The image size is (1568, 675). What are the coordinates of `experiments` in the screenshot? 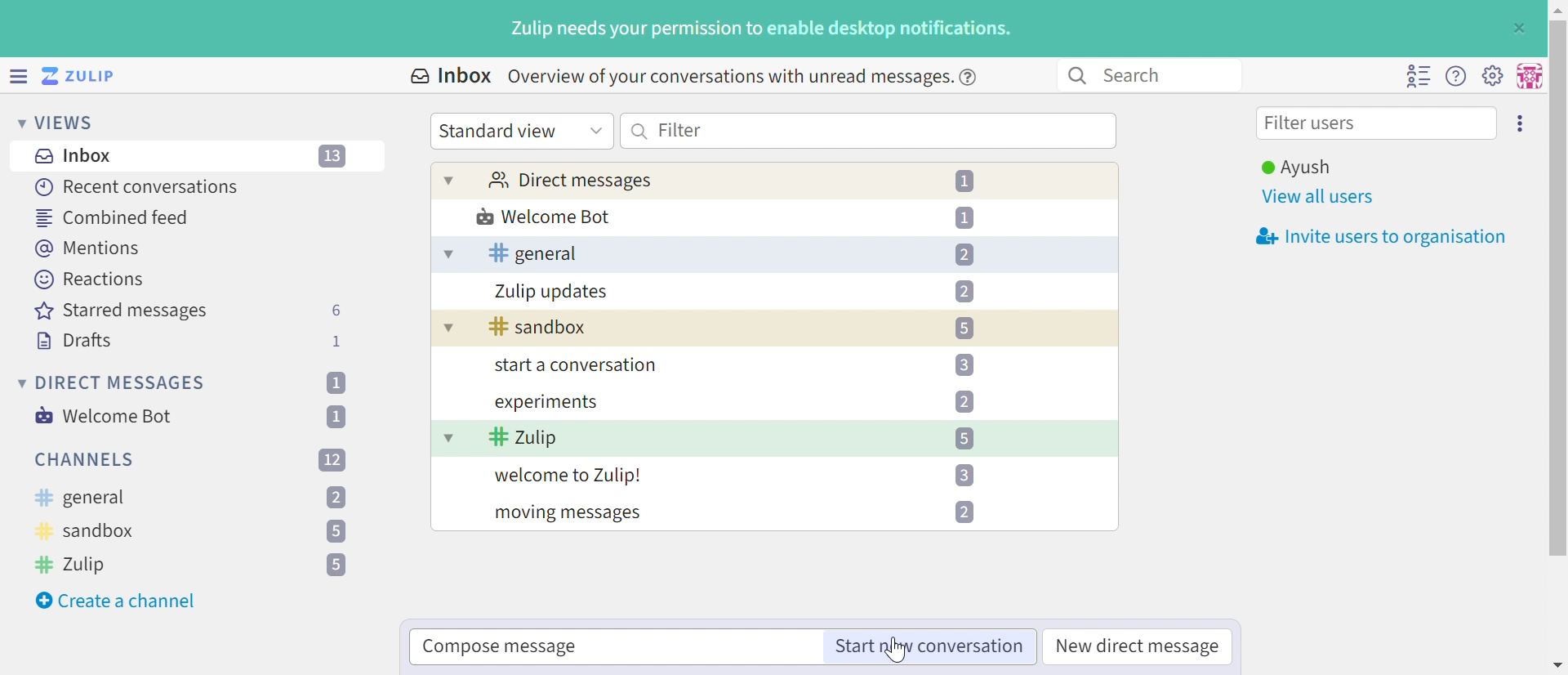 It's located at (545, 403).